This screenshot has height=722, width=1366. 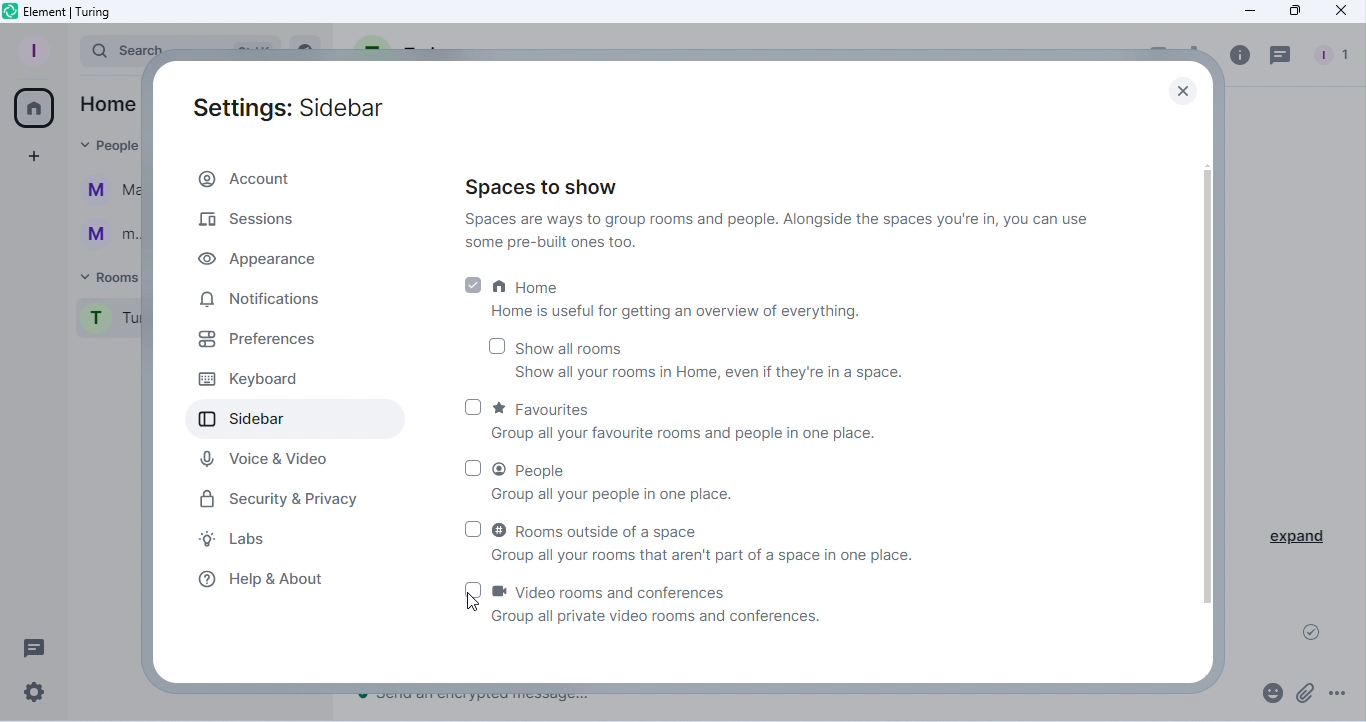 I want to click on Notifications, so click(x=263, y=298).